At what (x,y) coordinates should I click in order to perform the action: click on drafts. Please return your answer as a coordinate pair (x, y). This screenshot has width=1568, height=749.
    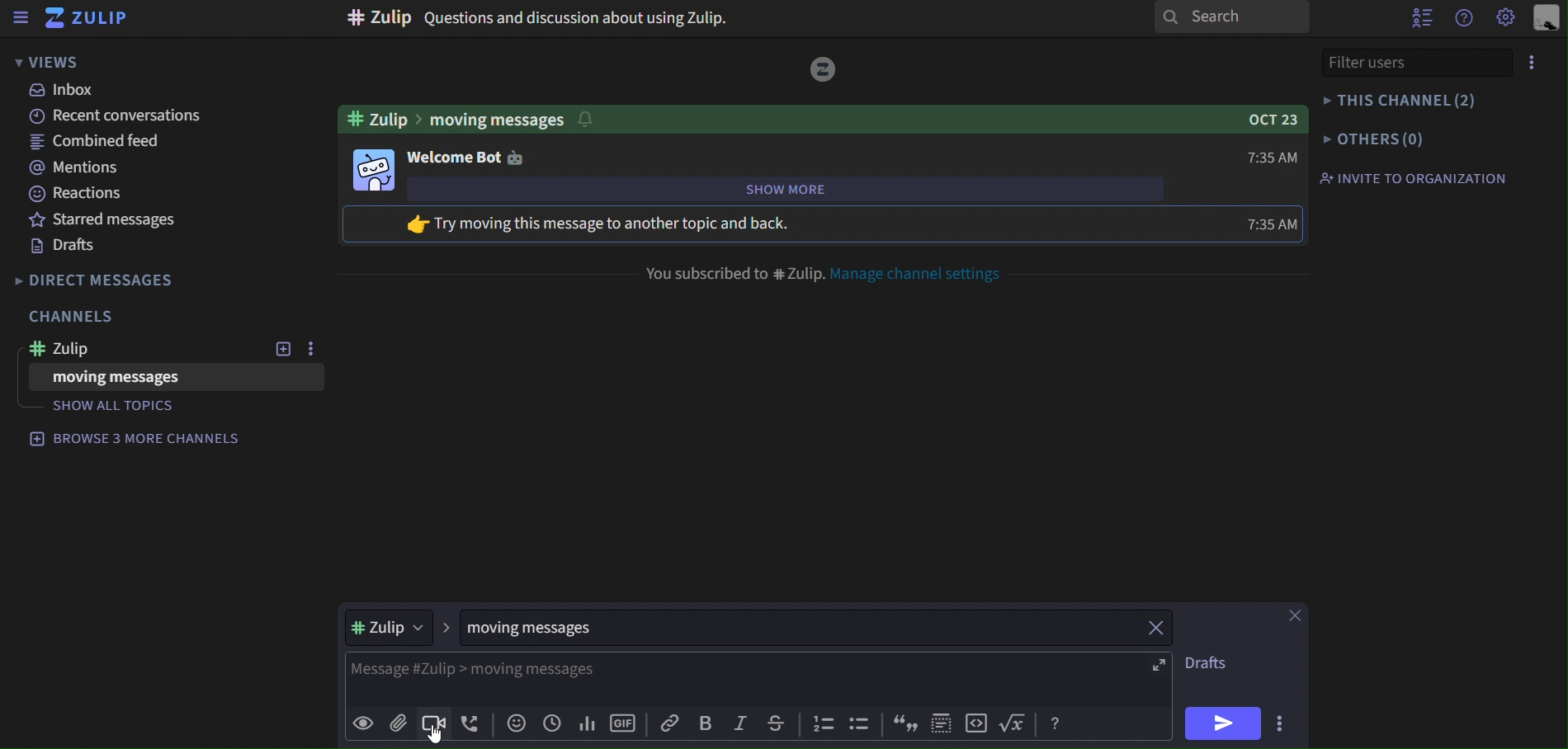
    Looking at the image, I should click on (72, 246).